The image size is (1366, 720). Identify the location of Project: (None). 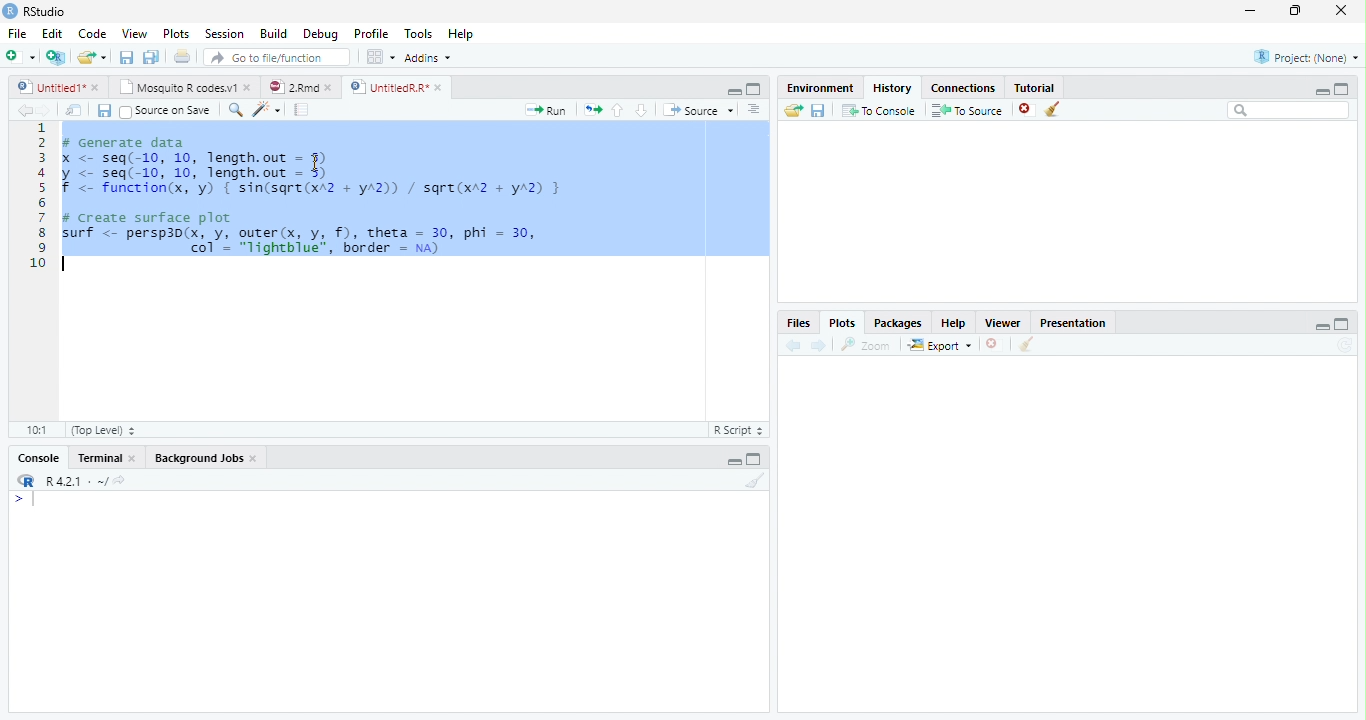
(1306, 57).